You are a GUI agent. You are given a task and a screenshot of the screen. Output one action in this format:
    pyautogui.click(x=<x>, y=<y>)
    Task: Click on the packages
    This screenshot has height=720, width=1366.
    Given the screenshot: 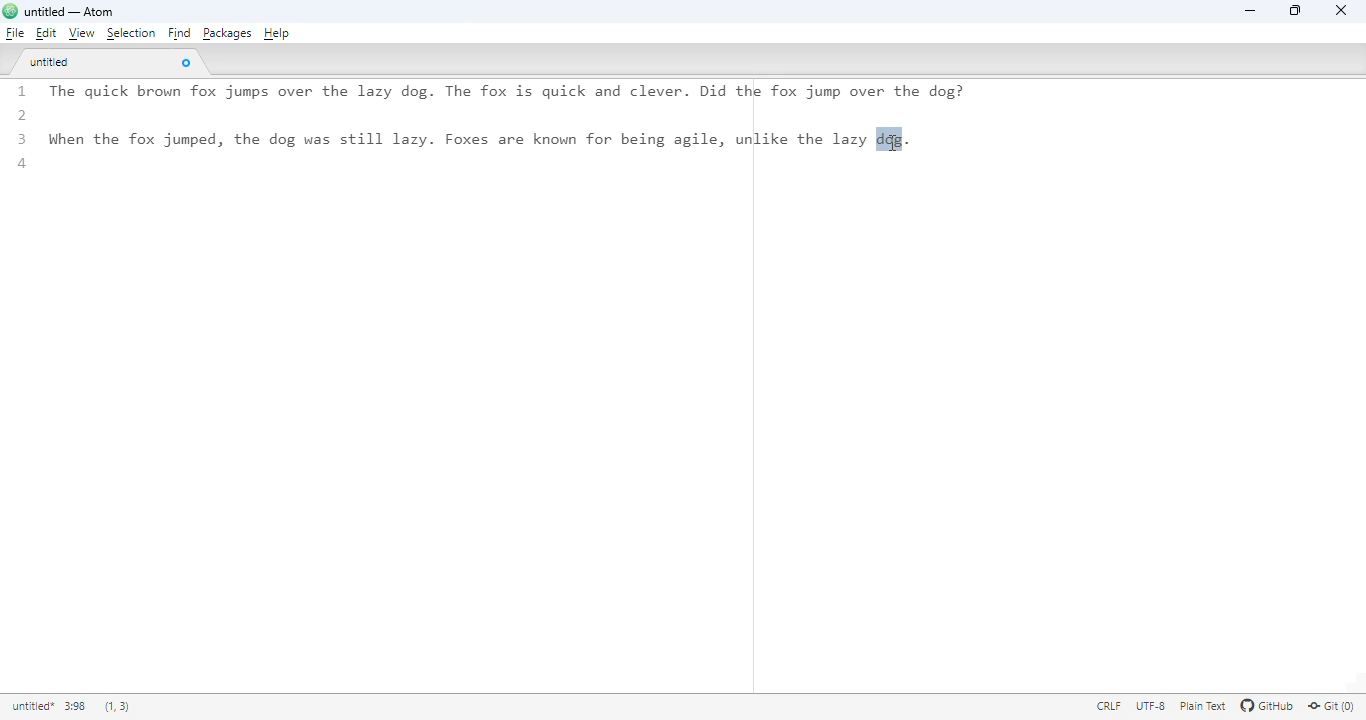 What is the action you would take?
    pyautogui.click(x=227, y=33)
    